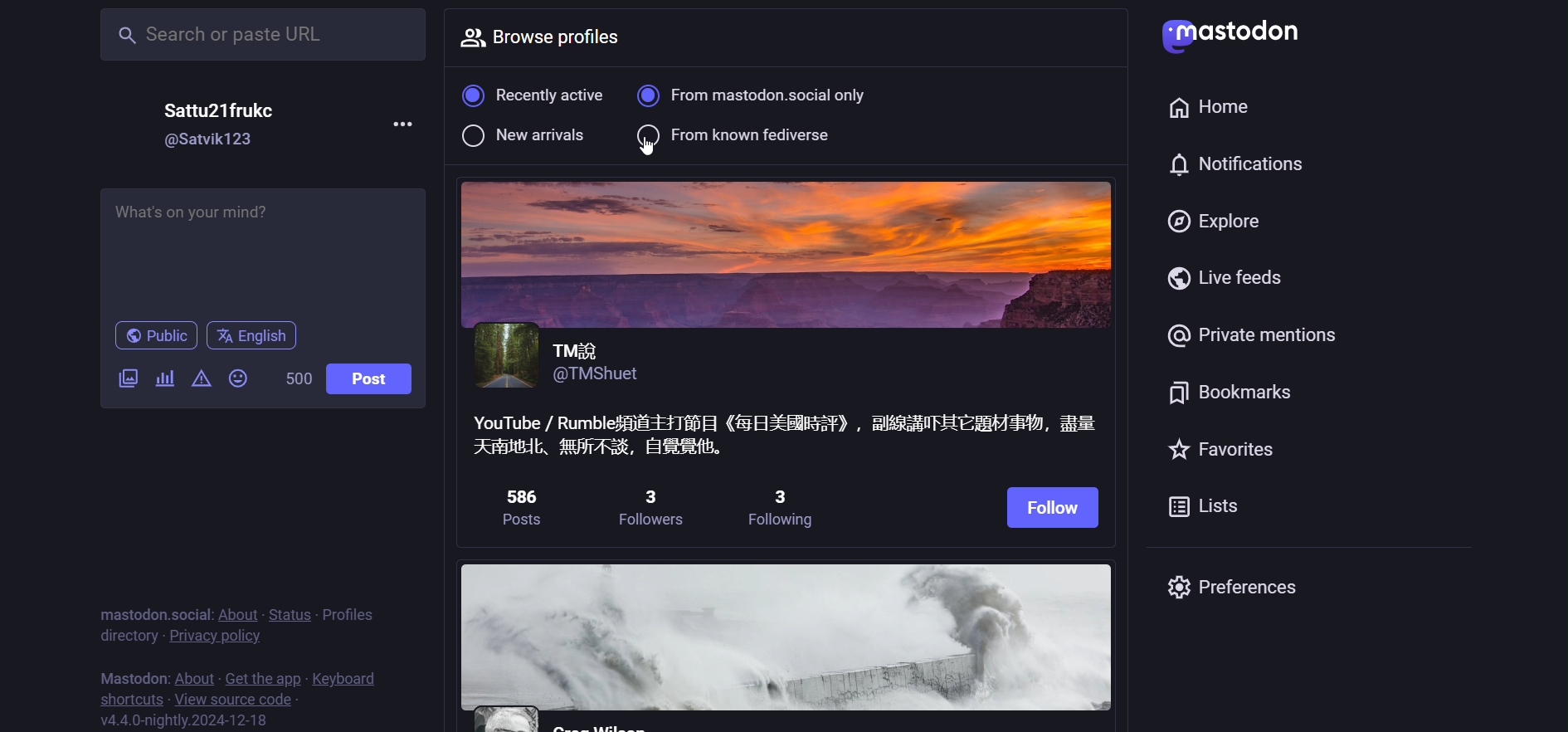 This screenshot has width=1568, height=732. I want to click on YouTube / RumbleSfiE-HTEHH (EHXENIT) , AETHEEMSEY, Bik
Keath, MASE, ERR,, so click(784, 440).